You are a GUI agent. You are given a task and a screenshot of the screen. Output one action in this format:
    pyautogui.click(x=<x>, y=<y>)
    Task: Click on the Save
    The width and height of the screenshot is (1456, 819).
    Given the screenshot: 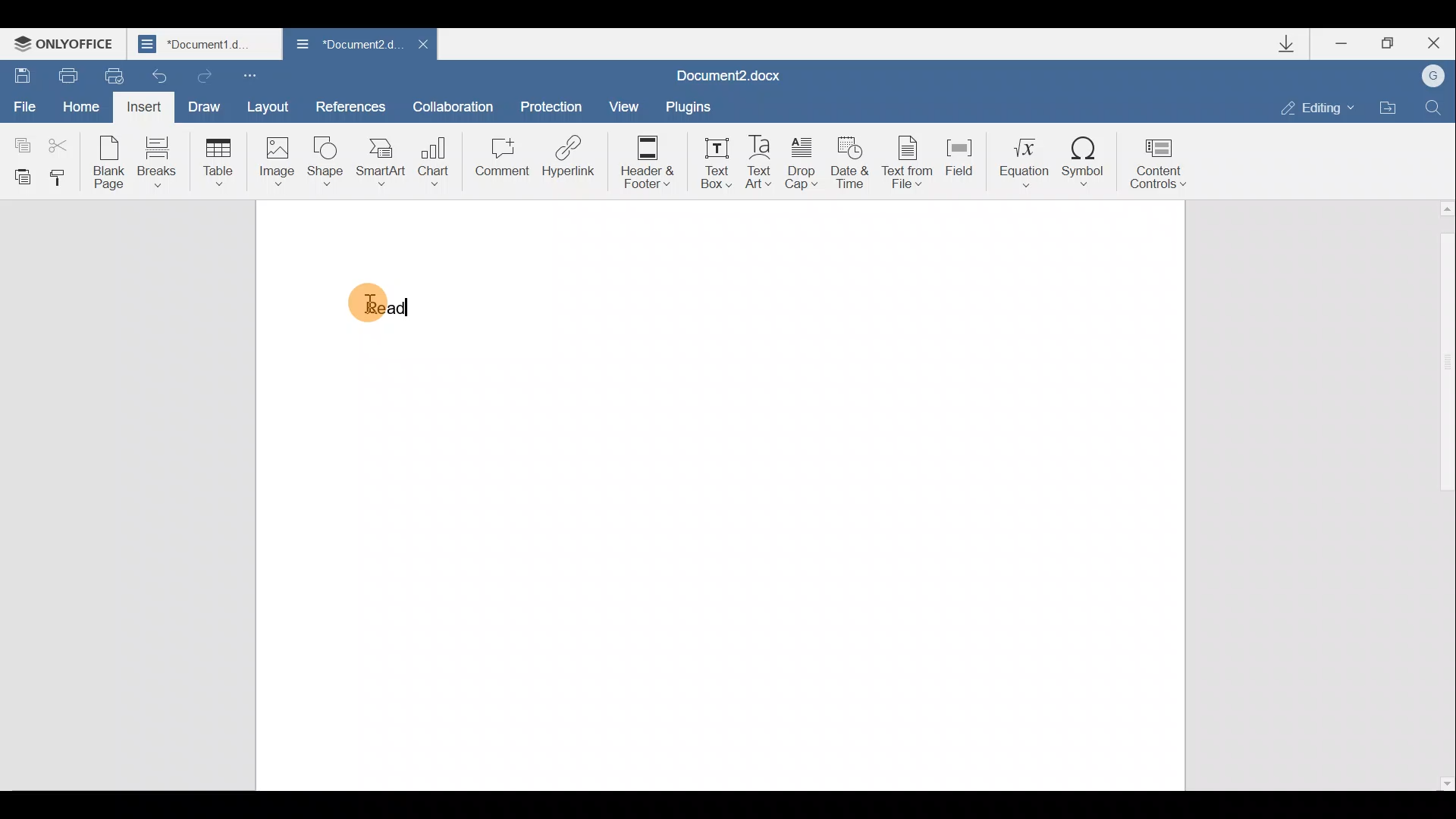 What is the action you would take?
    pyautogui.click(x=21, y=71)
    